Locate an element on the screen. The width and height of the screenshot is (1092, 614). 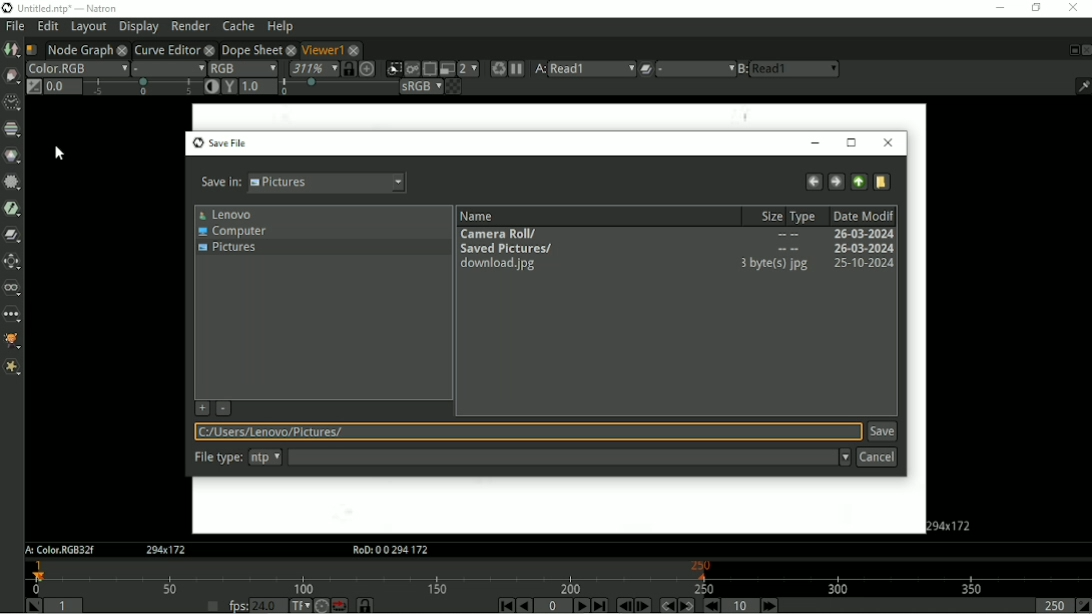
Script name is located at coordinates (32, 50).